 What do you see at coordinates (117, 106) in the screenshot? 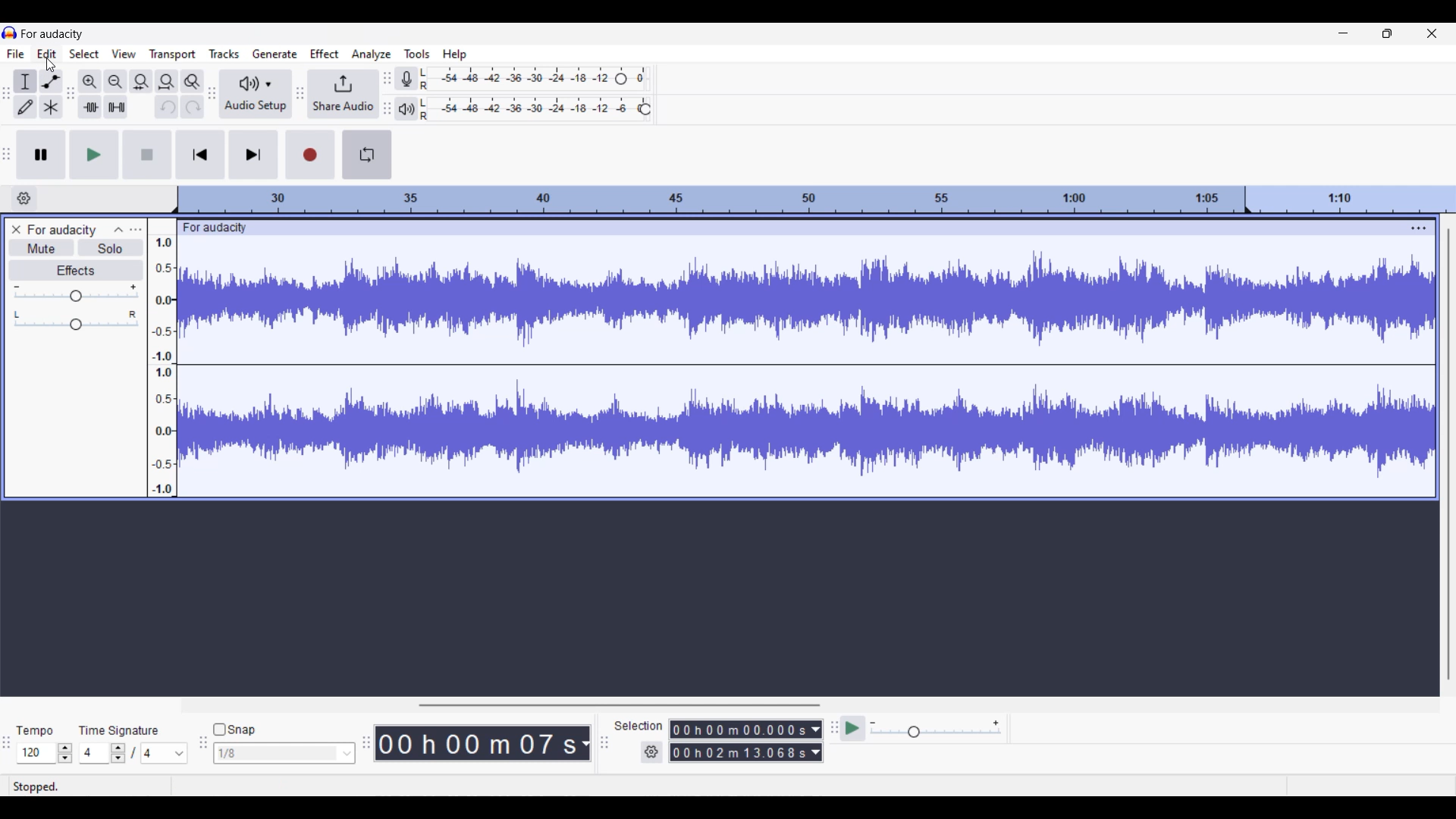
I see `Silence audio selection` at bounding box center [117, 106].